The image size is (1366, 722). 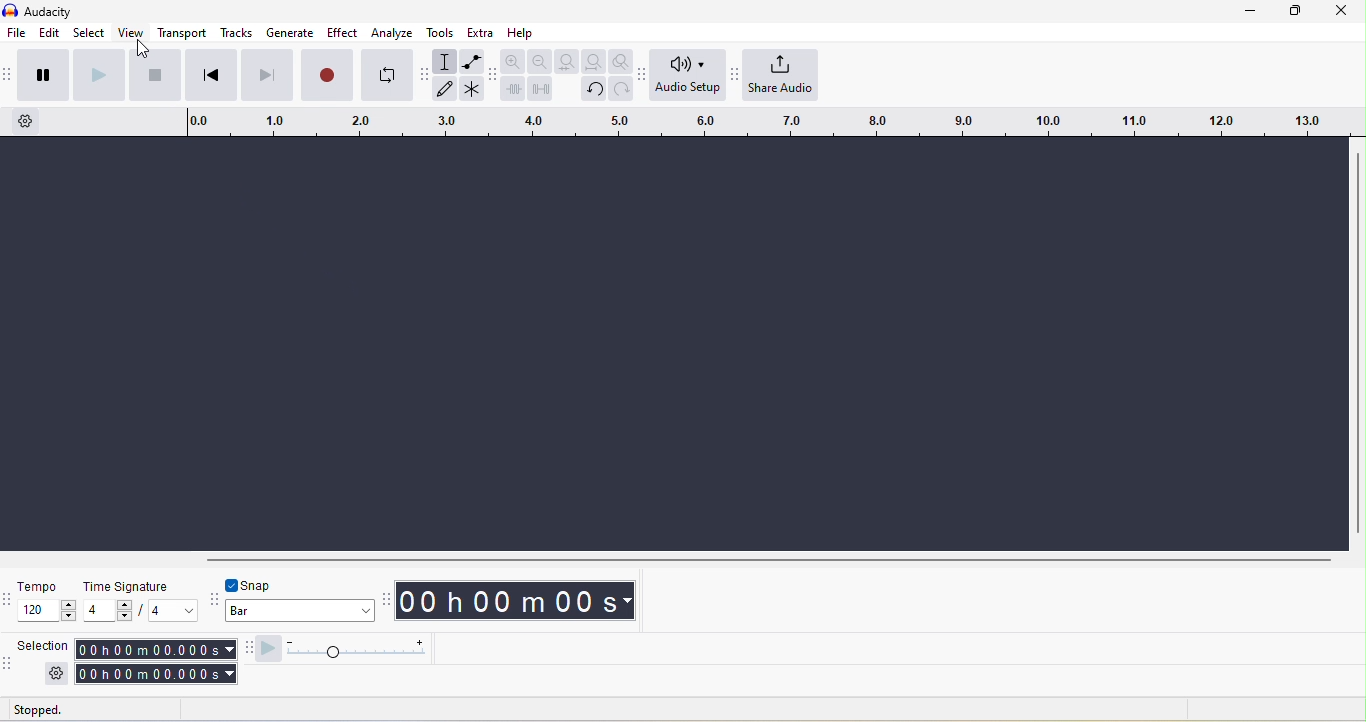 What do you see at coordinates (540, 61) in the screenshot?
I see `zoom out` at bounding box center [540, 61].